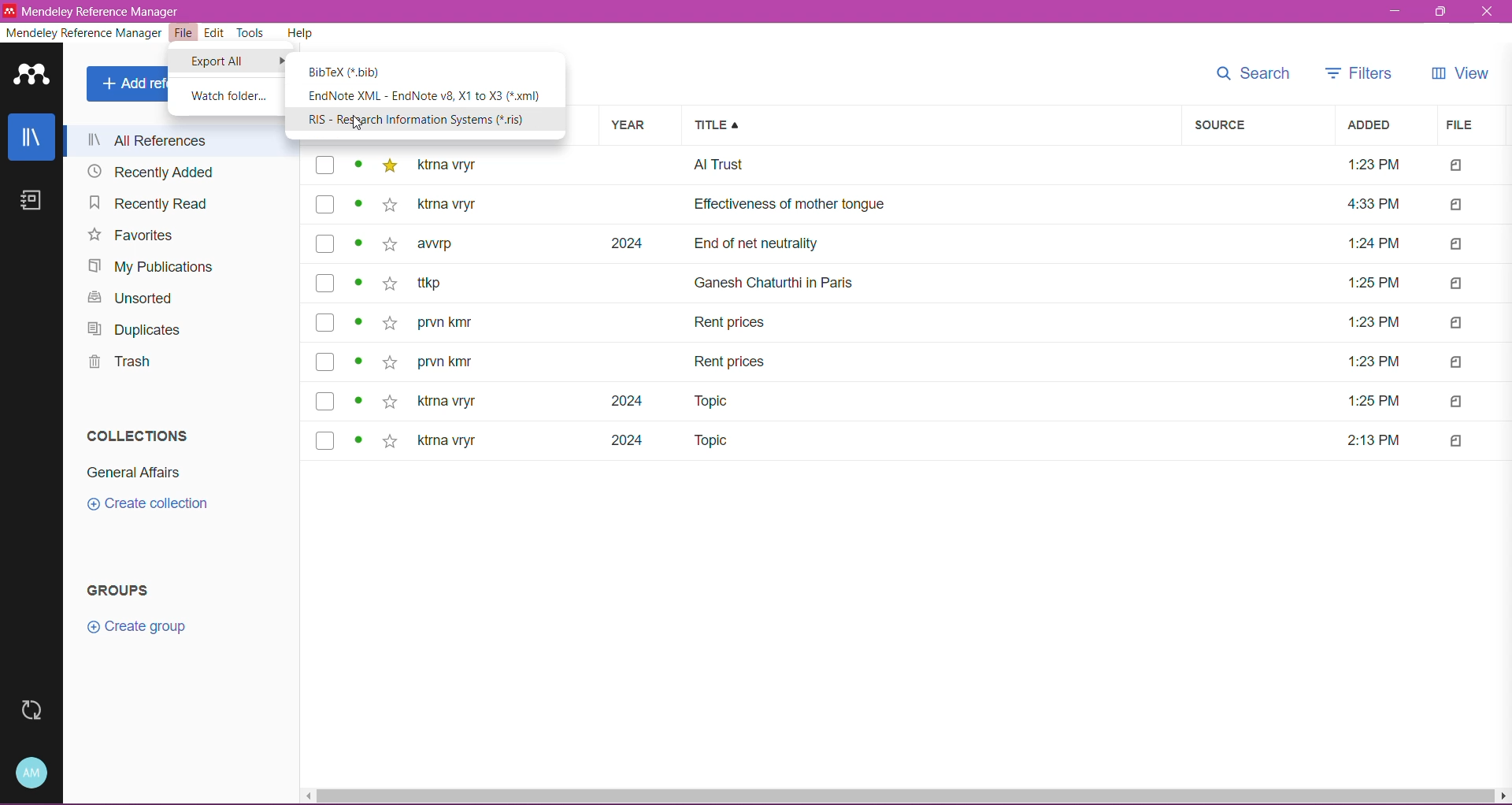 The width and height of the screenshot is (1512, 805). Describe the element at coordinates (643, 126) in the screenshot. I see `Year` at that location.